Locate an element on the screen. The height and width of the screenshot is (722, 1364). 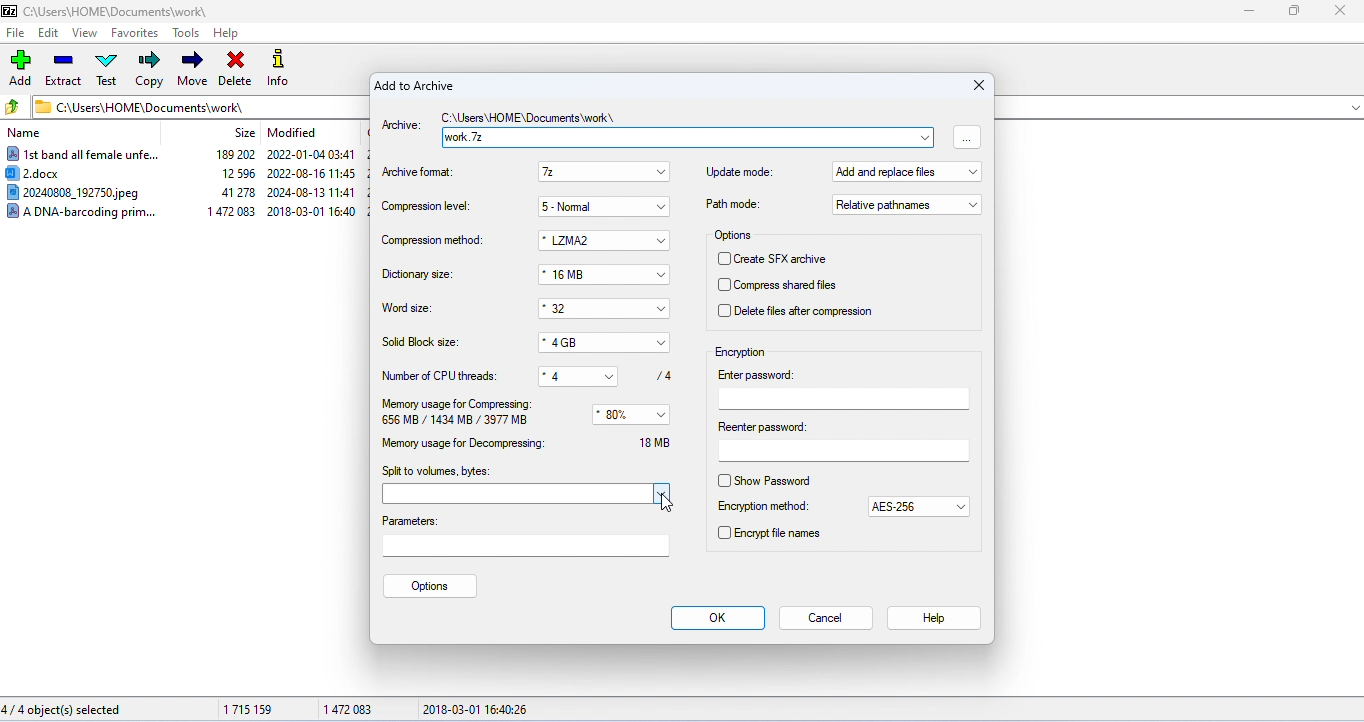
enter password is located at coordinates (845, 389).